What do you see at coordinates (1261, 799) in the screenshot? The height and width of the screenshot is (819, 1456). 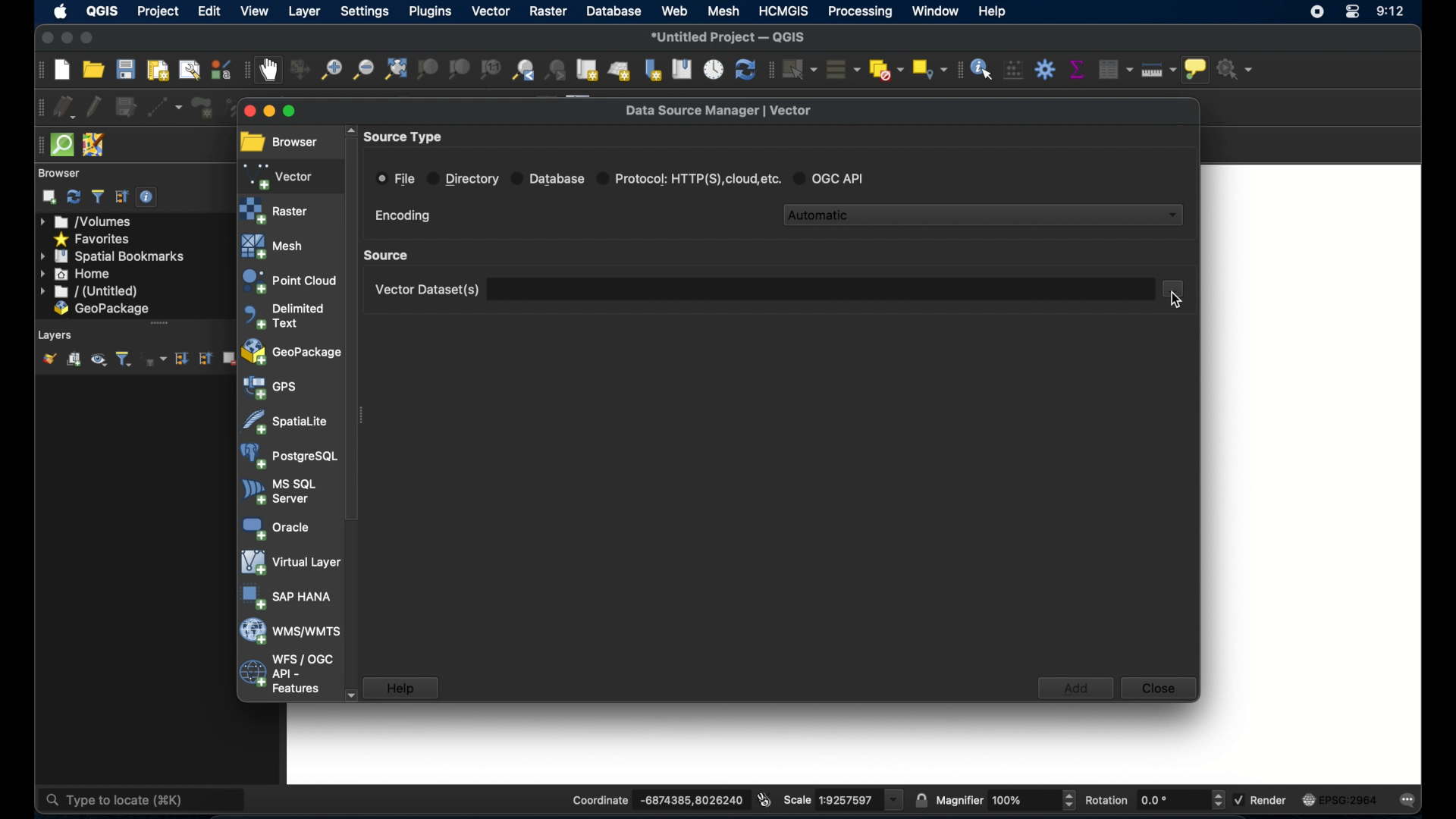 I see `render` at bounding box center [1261, 799].